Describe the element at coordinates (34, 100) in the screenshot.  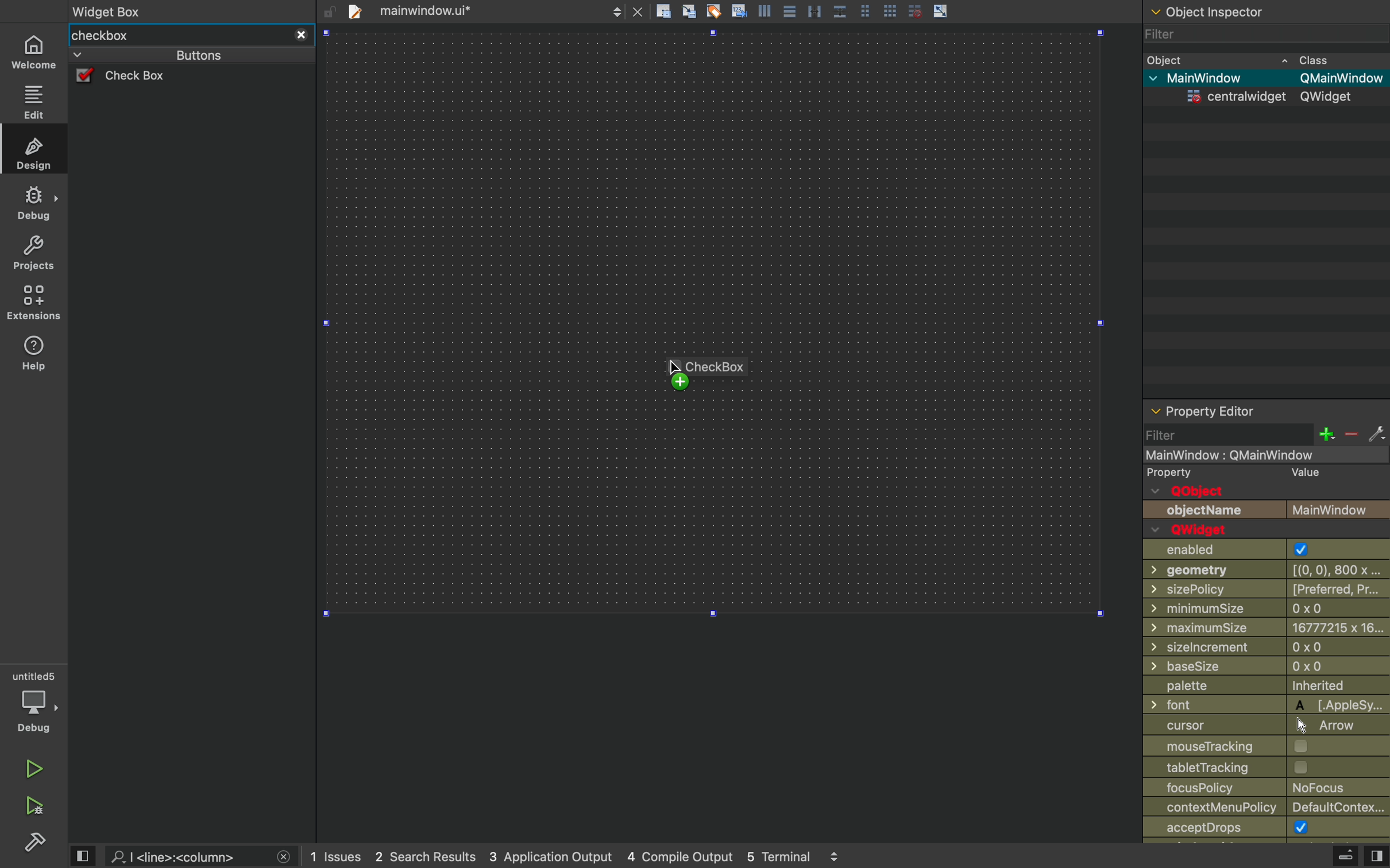
I see `edit` at that location.